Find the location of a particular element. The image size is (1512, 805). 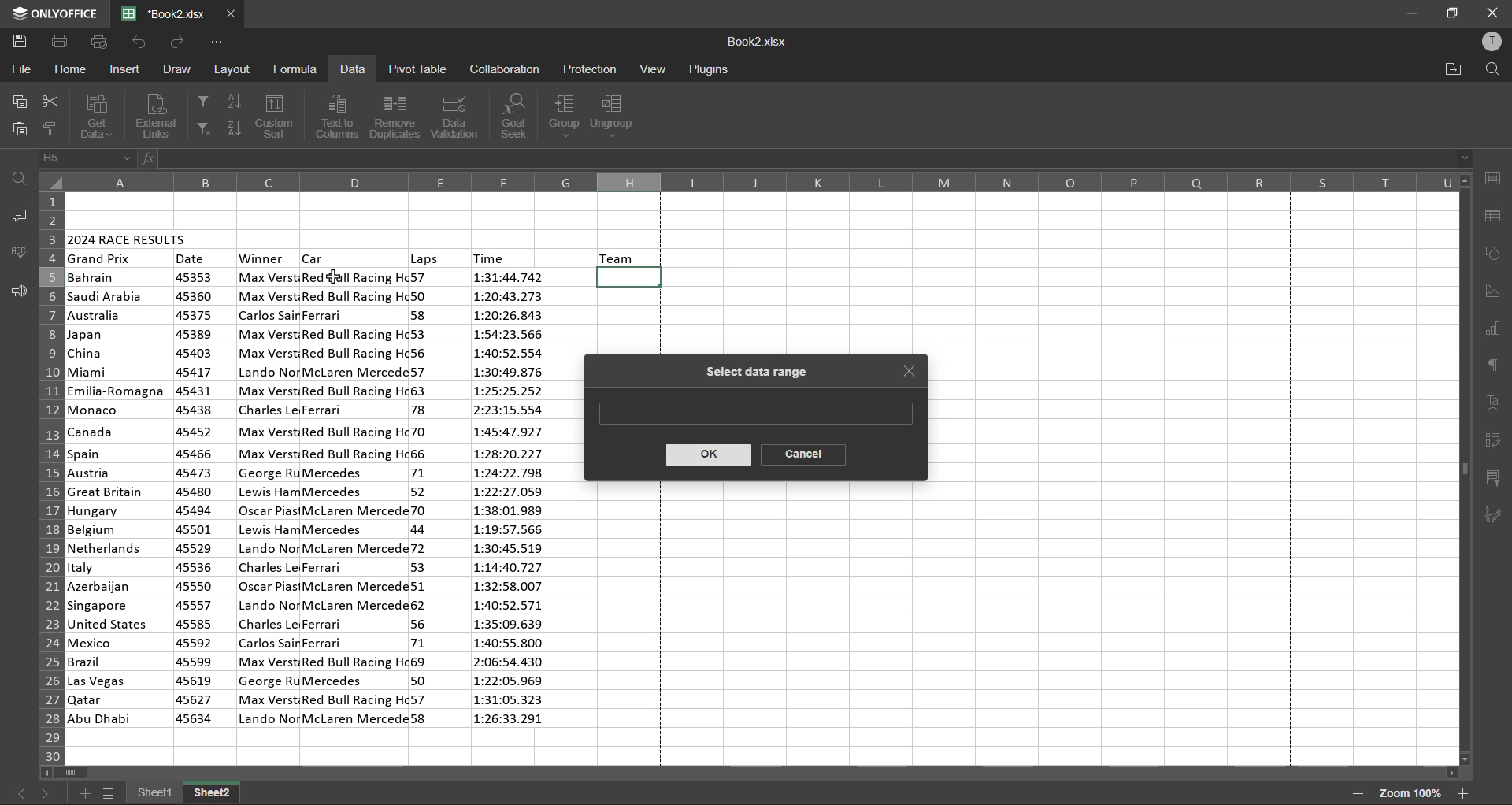

data is located at coordinates (352, 71).